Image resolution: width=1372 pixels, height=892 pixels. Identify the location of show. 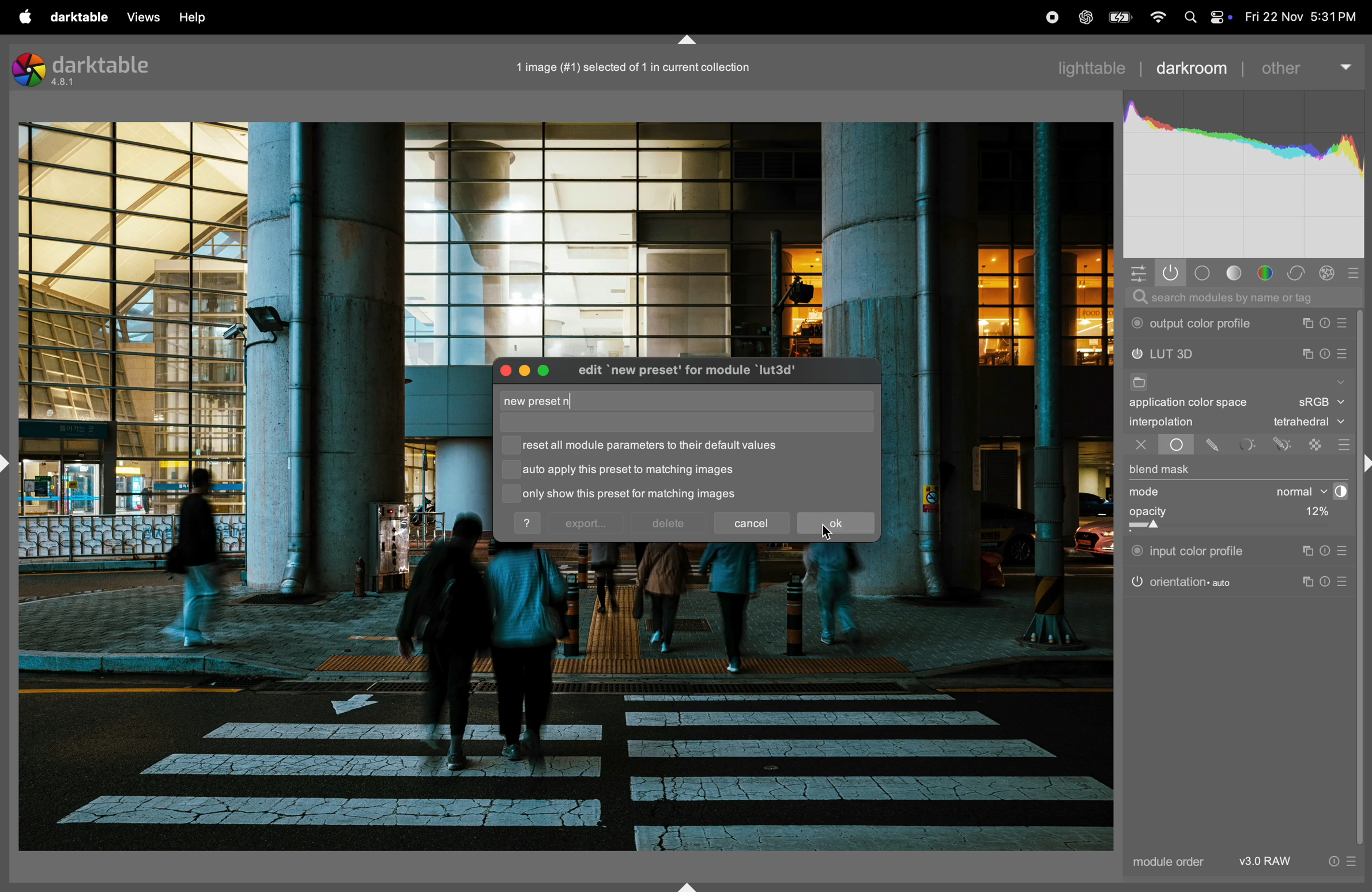
(1339, 380).